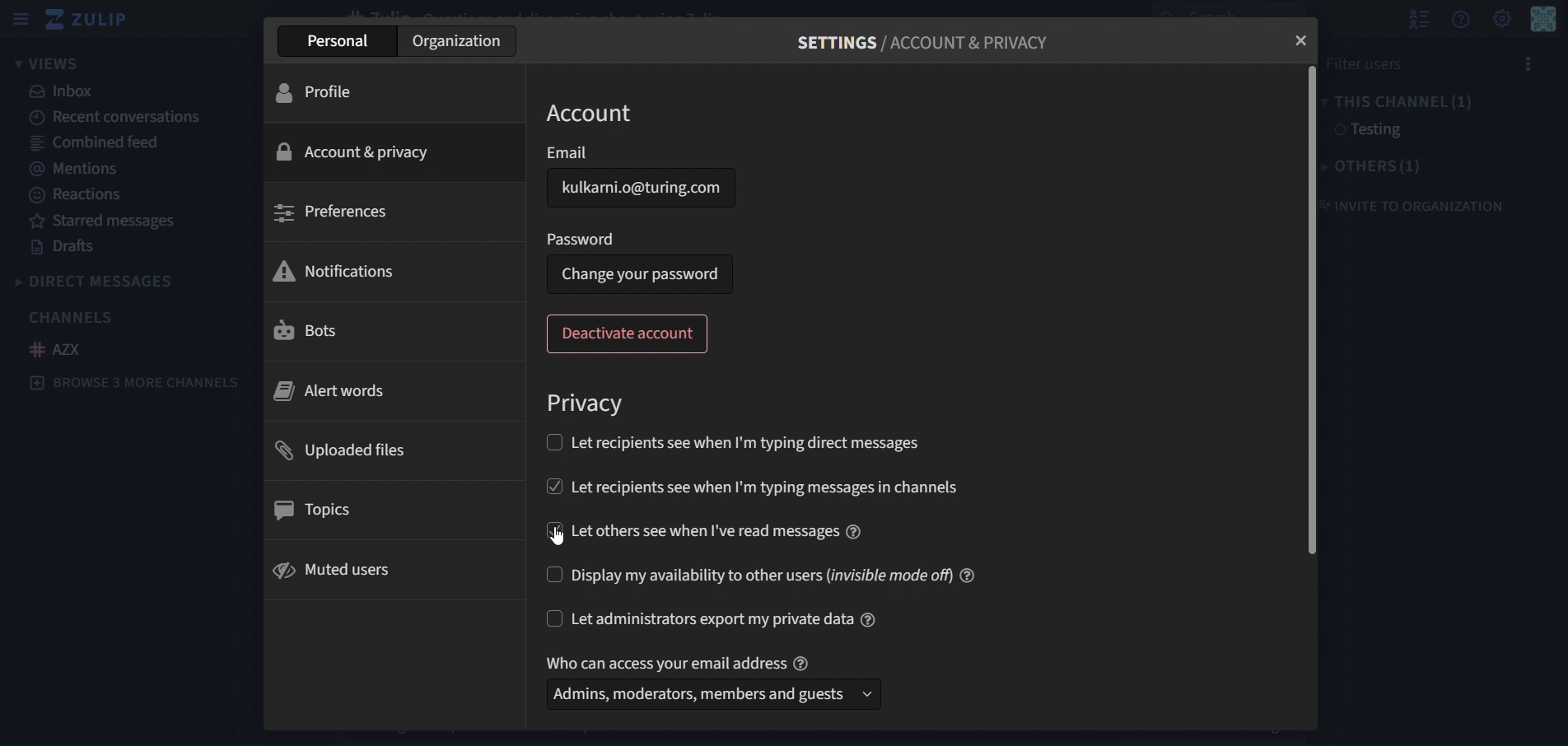 The width and height of the screenshot is (1568, 746). I want to click on recent conversation, so click(122, 118).